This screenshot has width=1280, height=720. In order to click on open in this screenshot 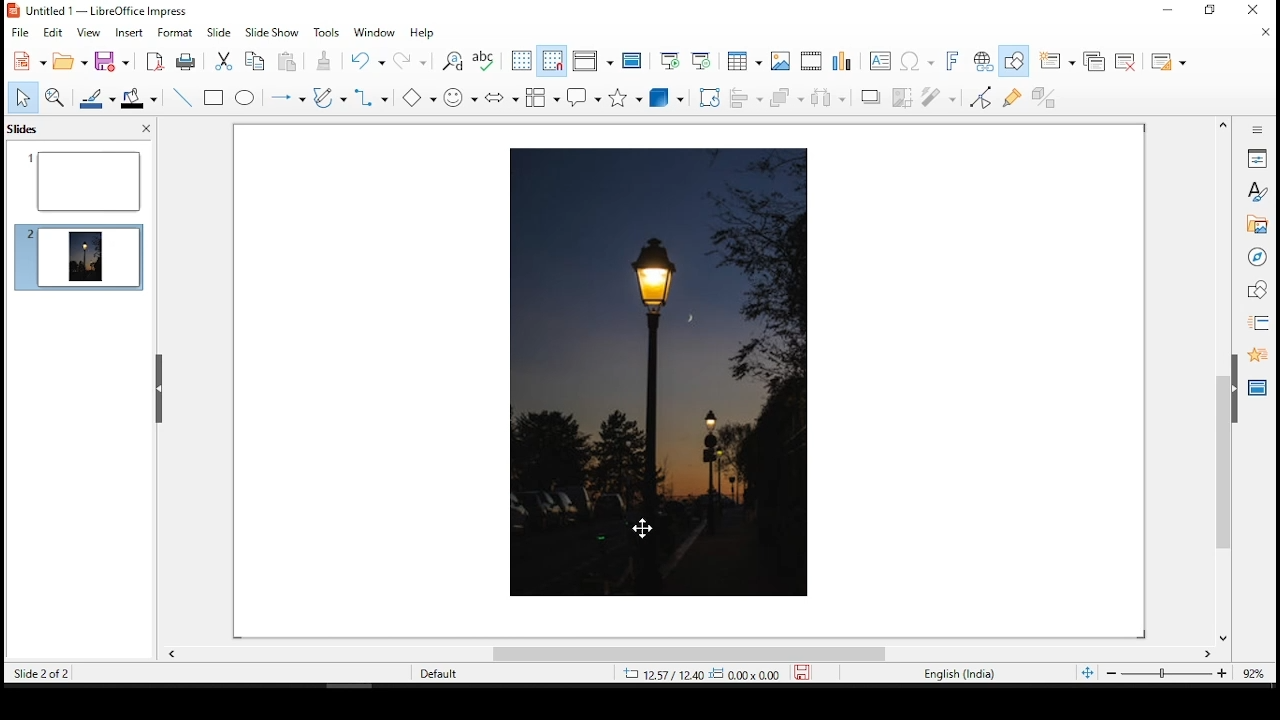, I will do `click(71, 60)`.